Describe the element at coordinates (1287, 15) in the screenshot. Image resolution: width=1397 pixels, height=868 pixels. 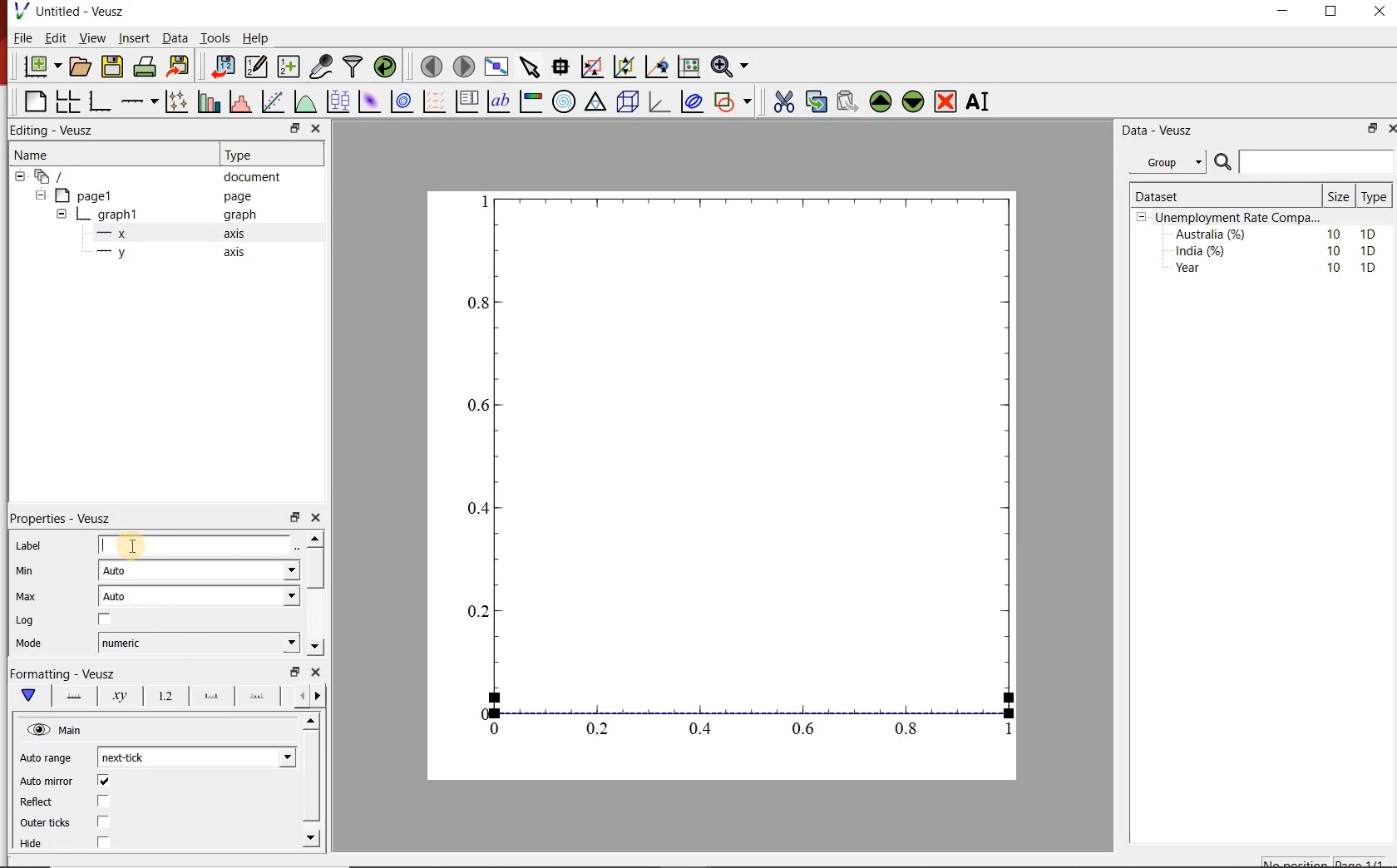
I see `minimise` at that location.